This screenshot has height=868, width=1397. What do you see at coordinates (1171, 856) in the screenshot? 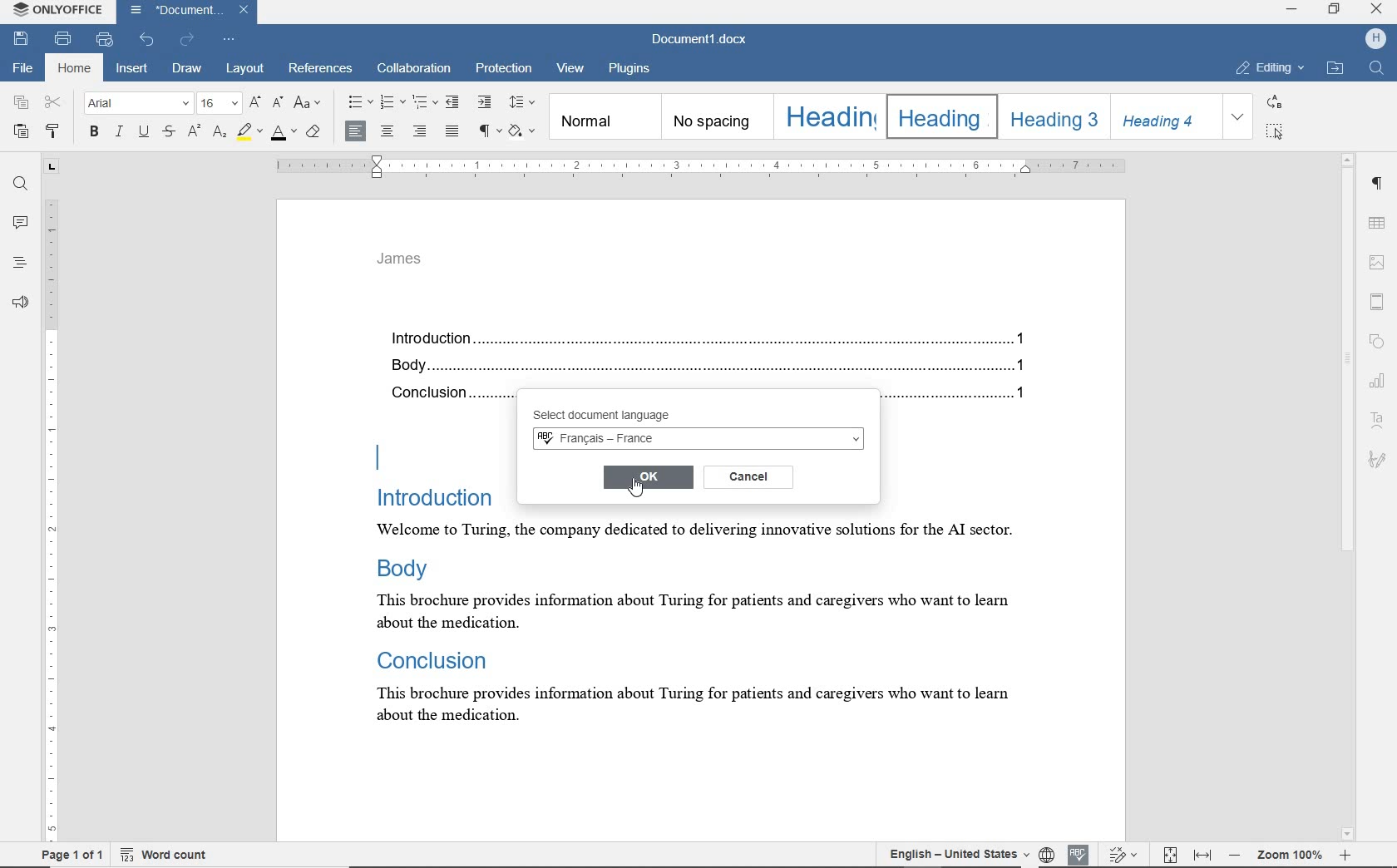
I see `fit to page` at bounding box center [1171, 856].